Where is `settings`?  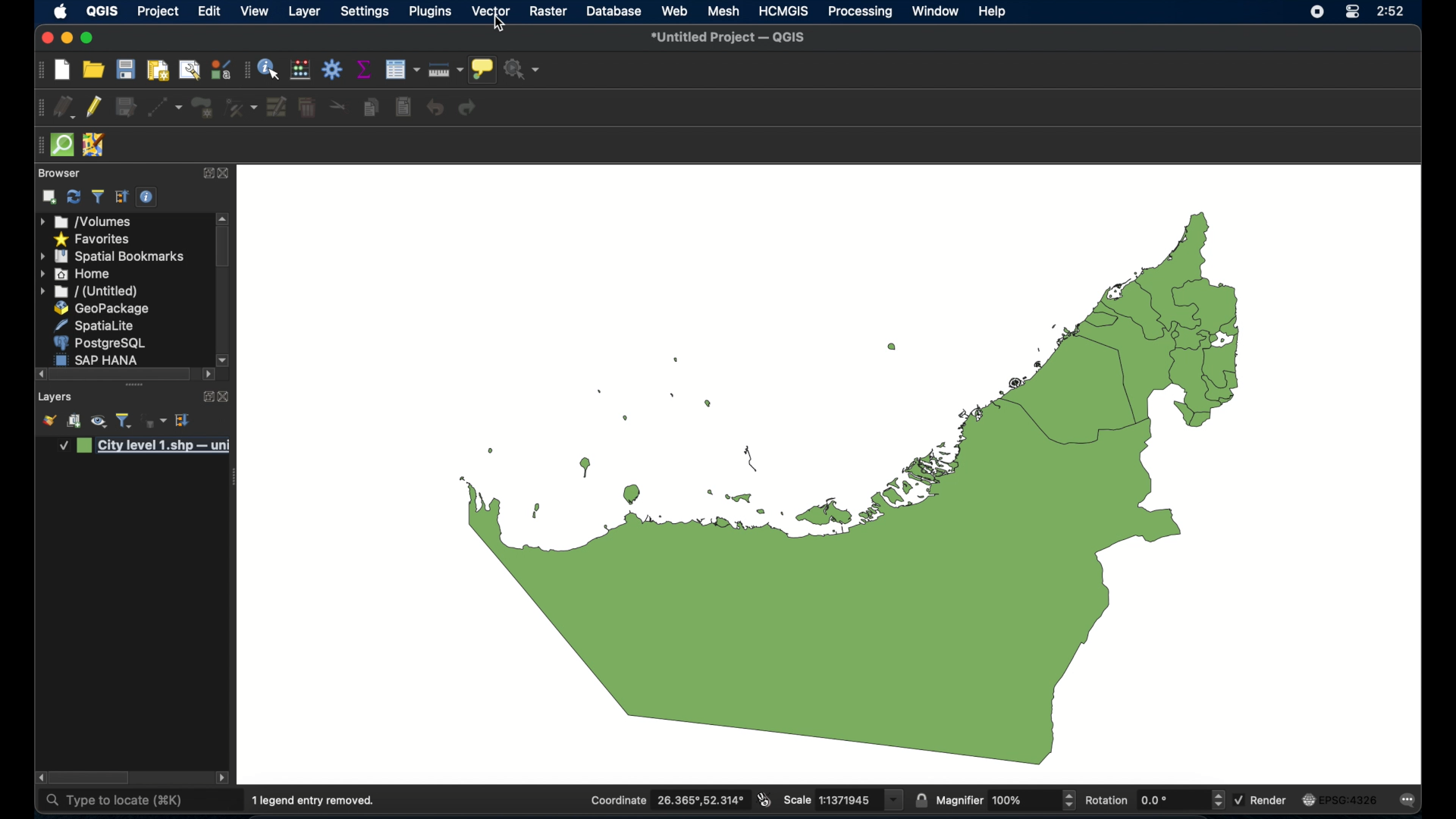
settings is located at coordinates (366, 12).